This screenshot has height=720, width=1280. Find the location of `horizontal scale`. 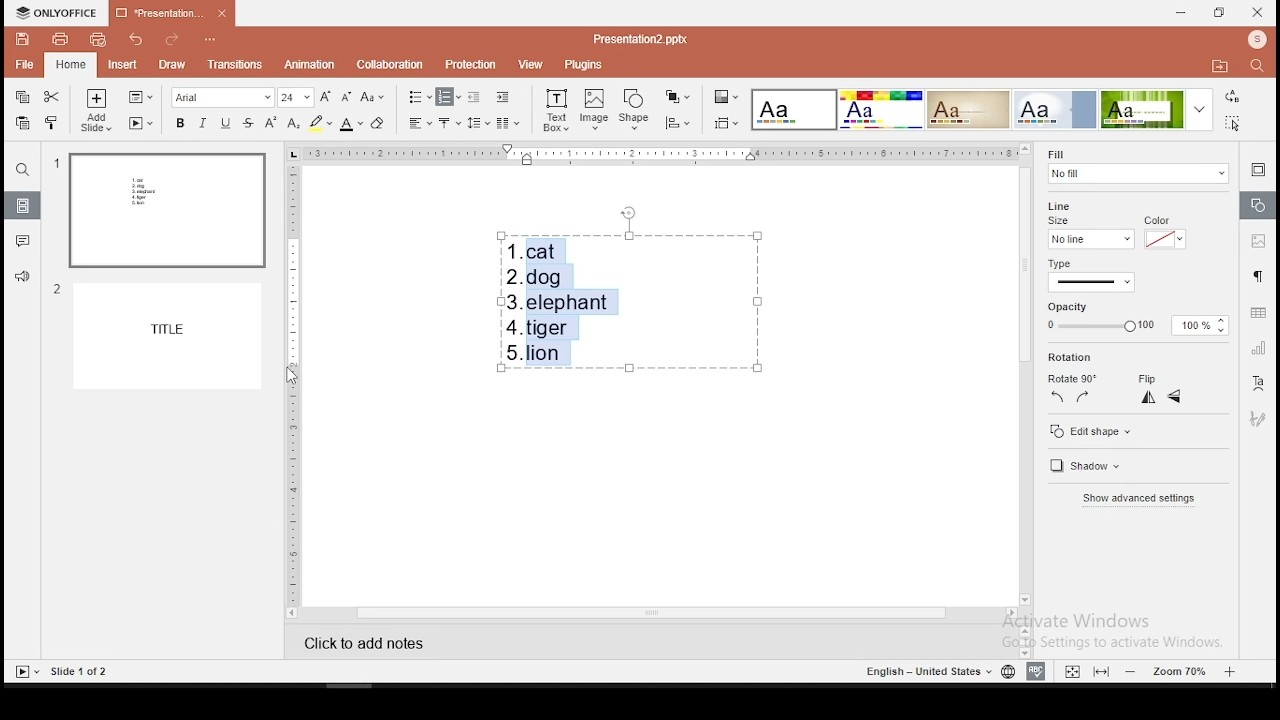

horizontal scale is located at coordinates (660, 153).